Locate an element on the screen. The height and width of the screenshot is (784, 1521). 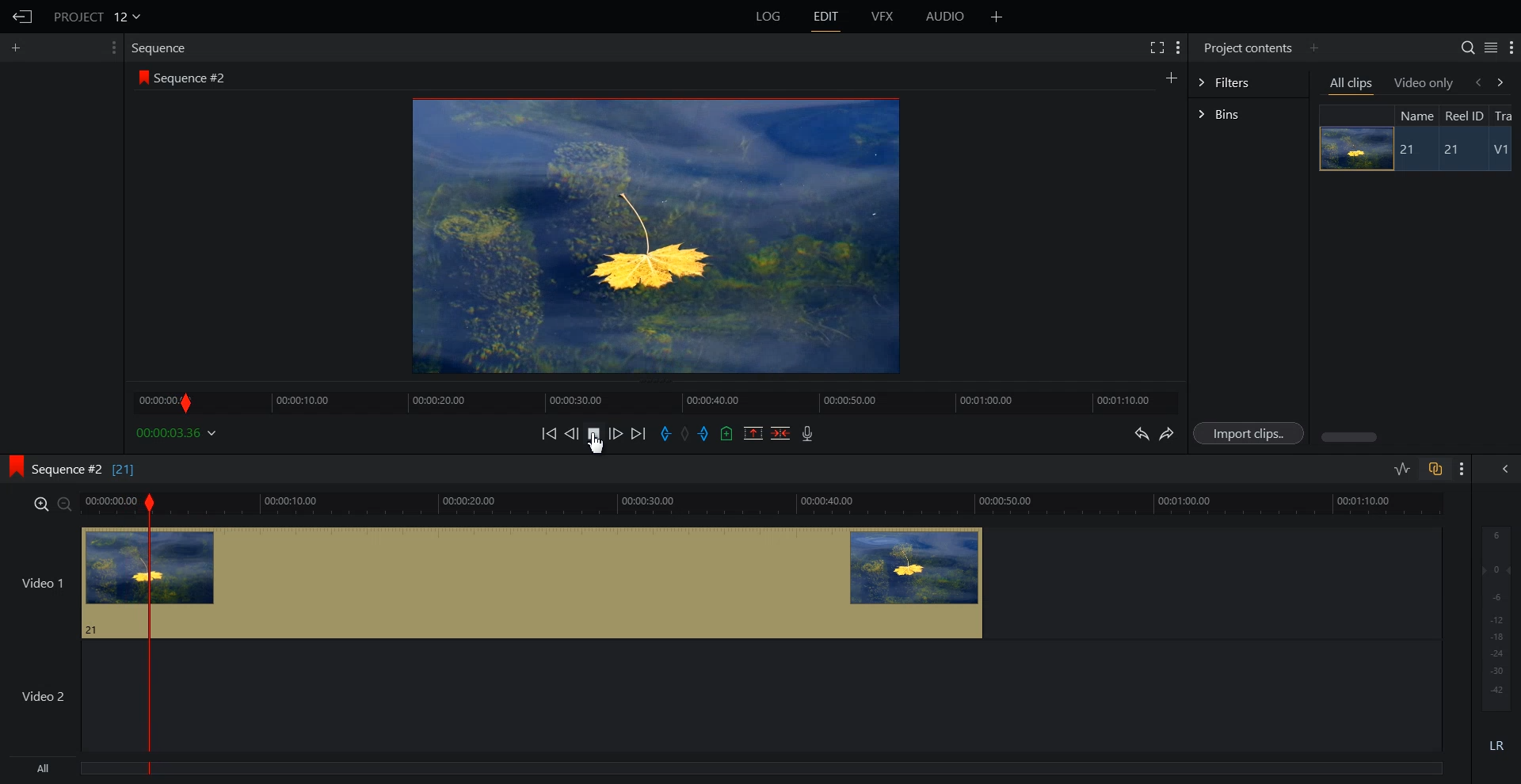
21 is located at coordinates (1458, 150).